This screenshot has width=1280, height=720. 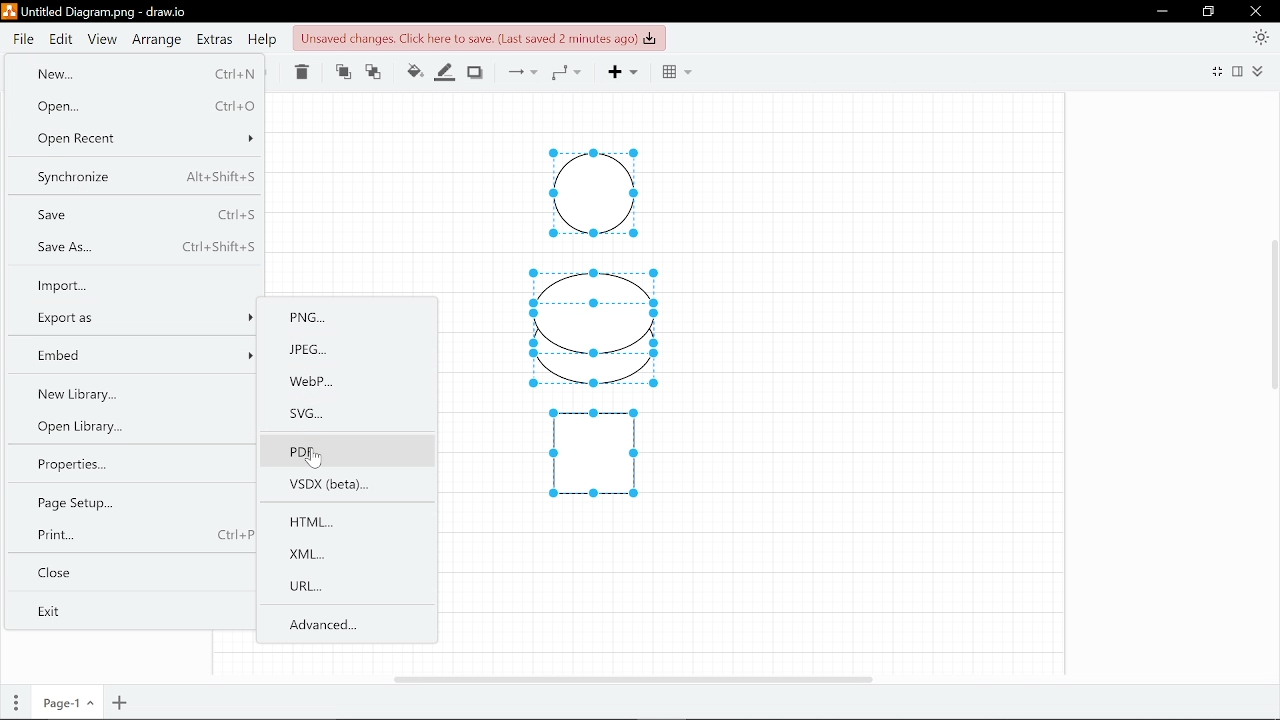 What do you see at coordinates (97, 13) in the screenshot?
I see `Current file - Untitled Diagram.png - draw.io` at bounding box center [97, 13].